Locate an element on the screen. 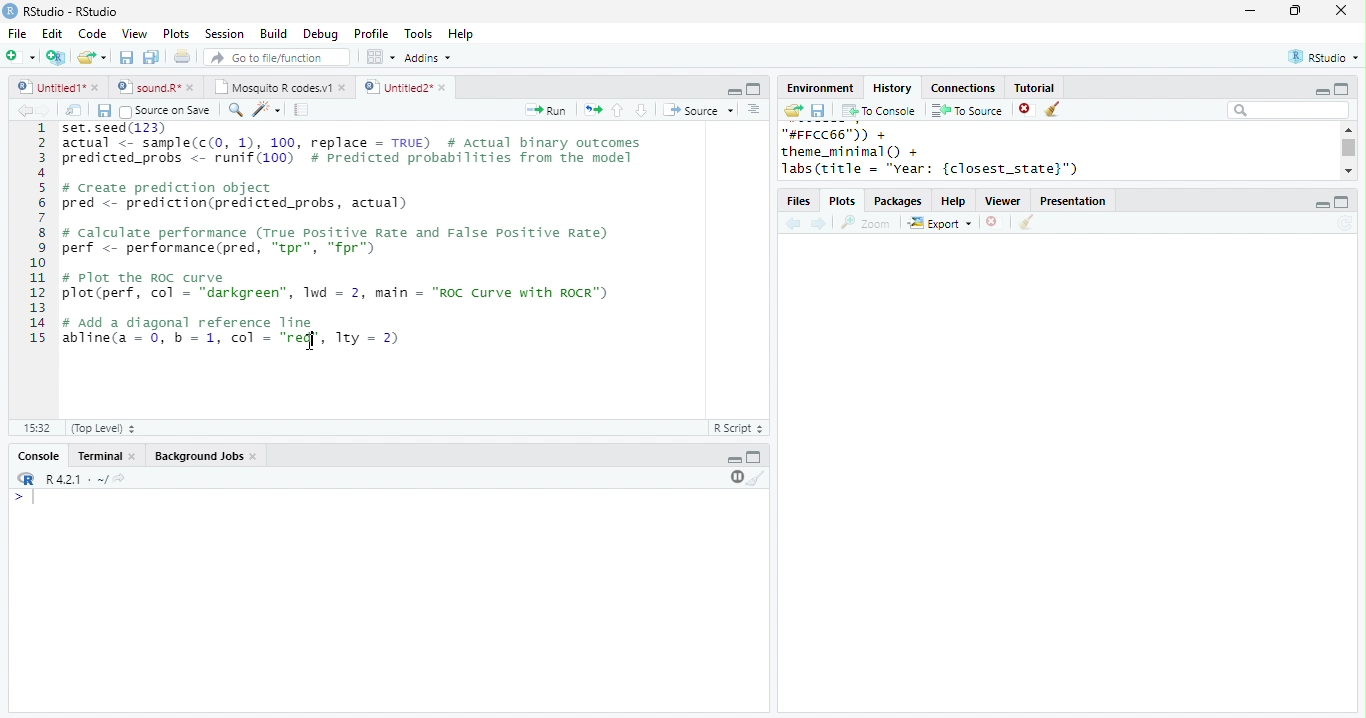 This screenshot has width=1366, height=718. To console is located at coordinates (879, 111).